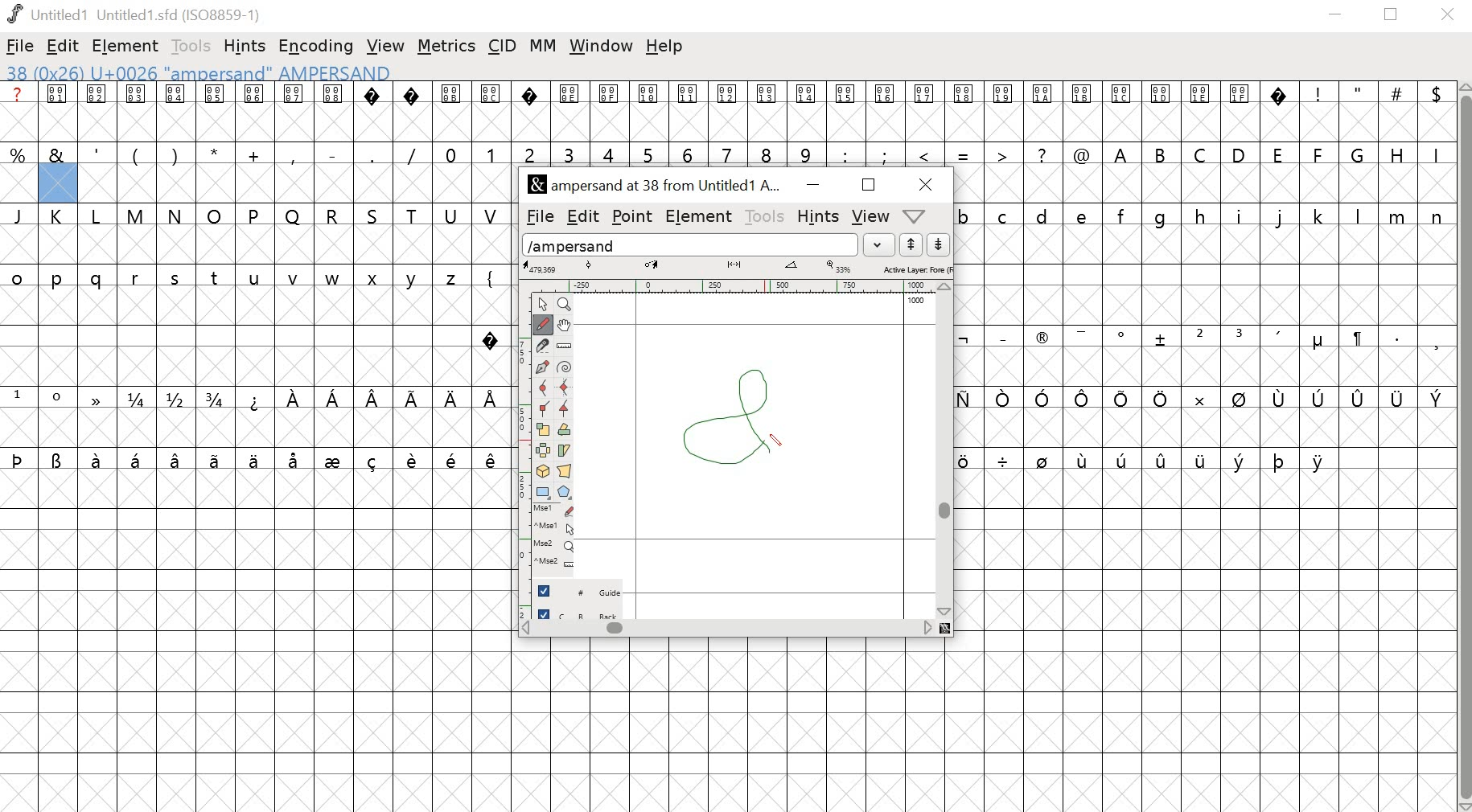 The height and width of the screenshot is (812, 1472). I want to click on i, so click(1240, 215).